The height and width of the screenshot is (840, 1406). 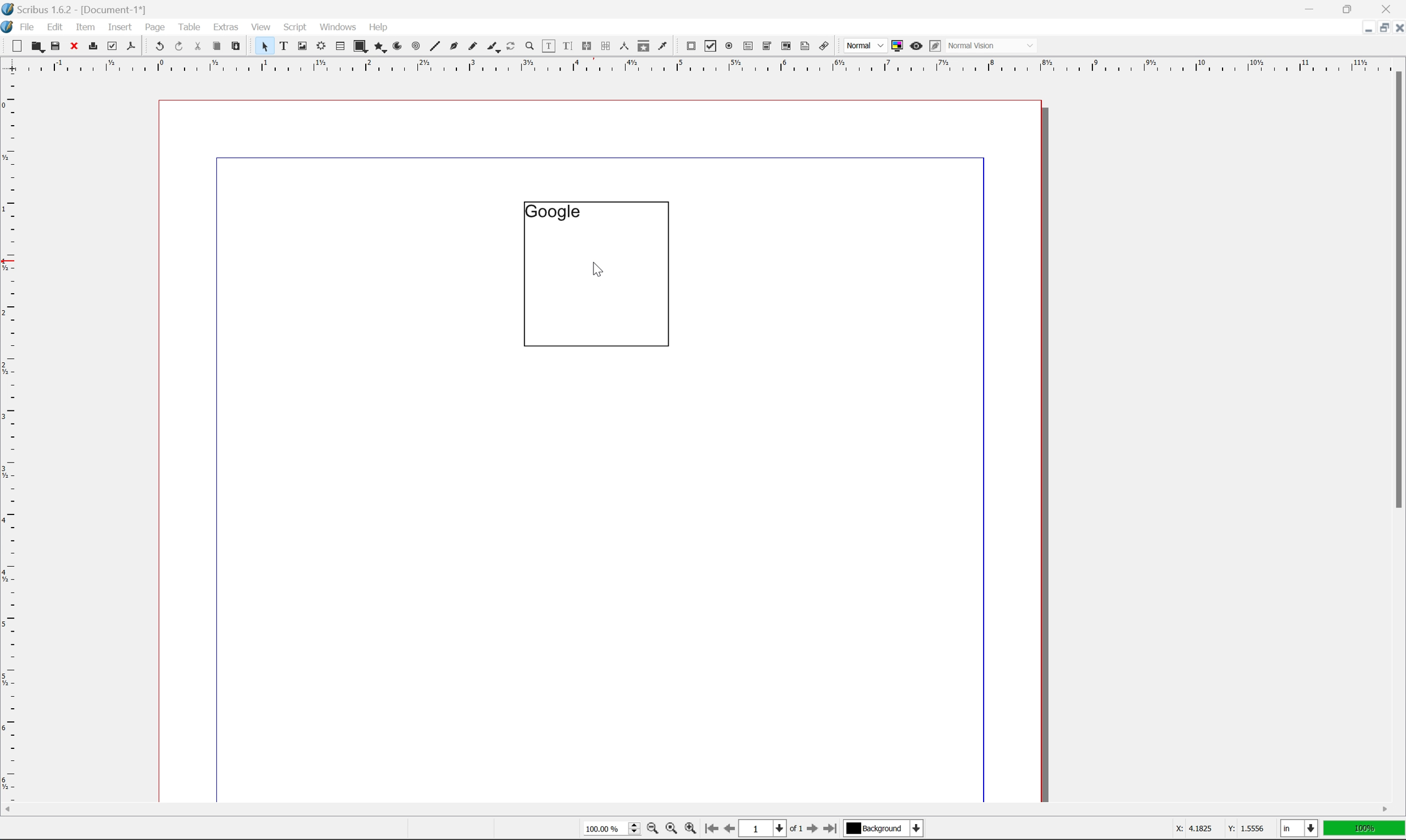 I want to click on calligraphy line, so click(x=493, y=45).